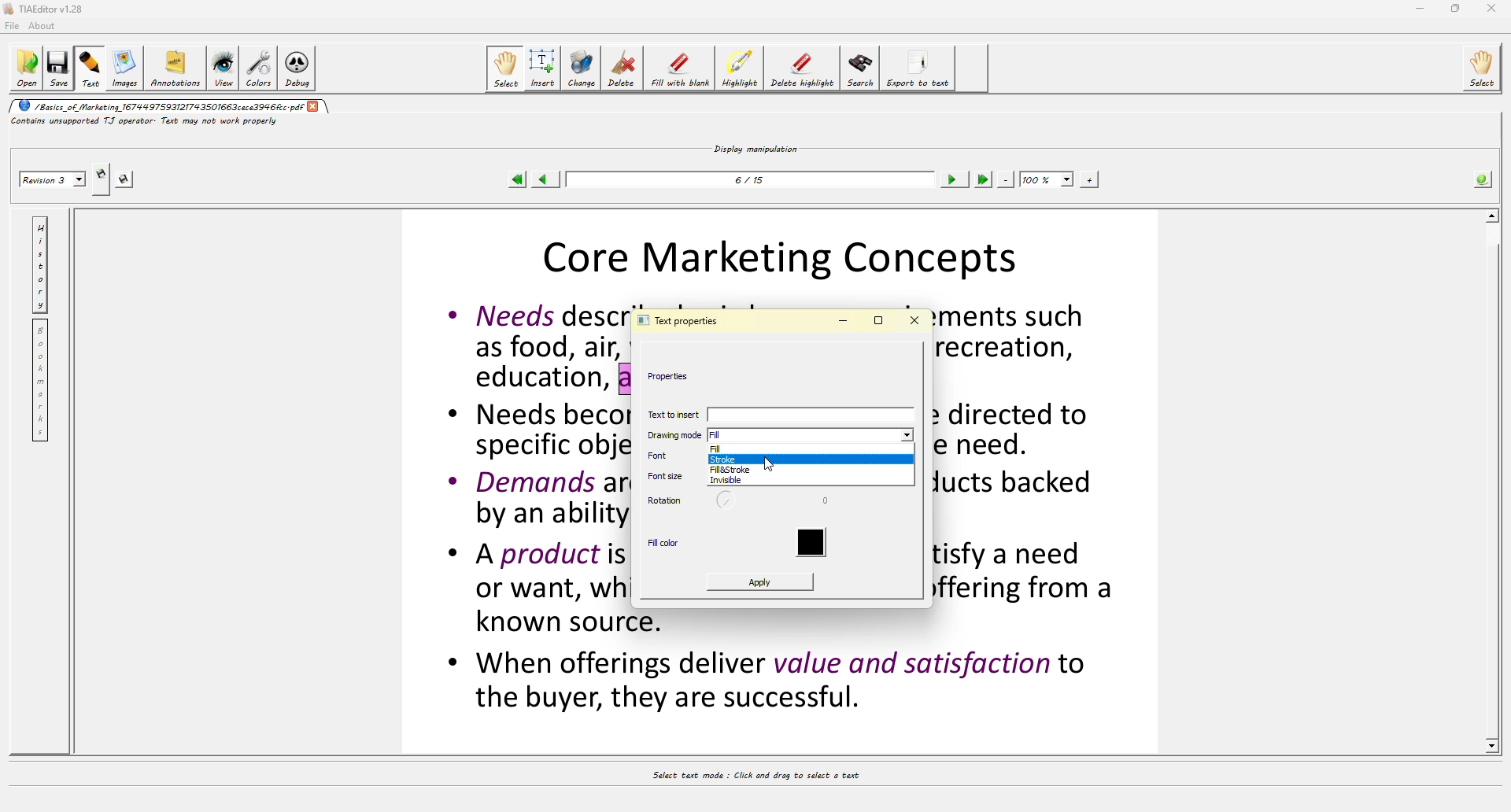 The height and width of the screenshot is (812, 1511). I want to click on annotations, so click(177, 66).